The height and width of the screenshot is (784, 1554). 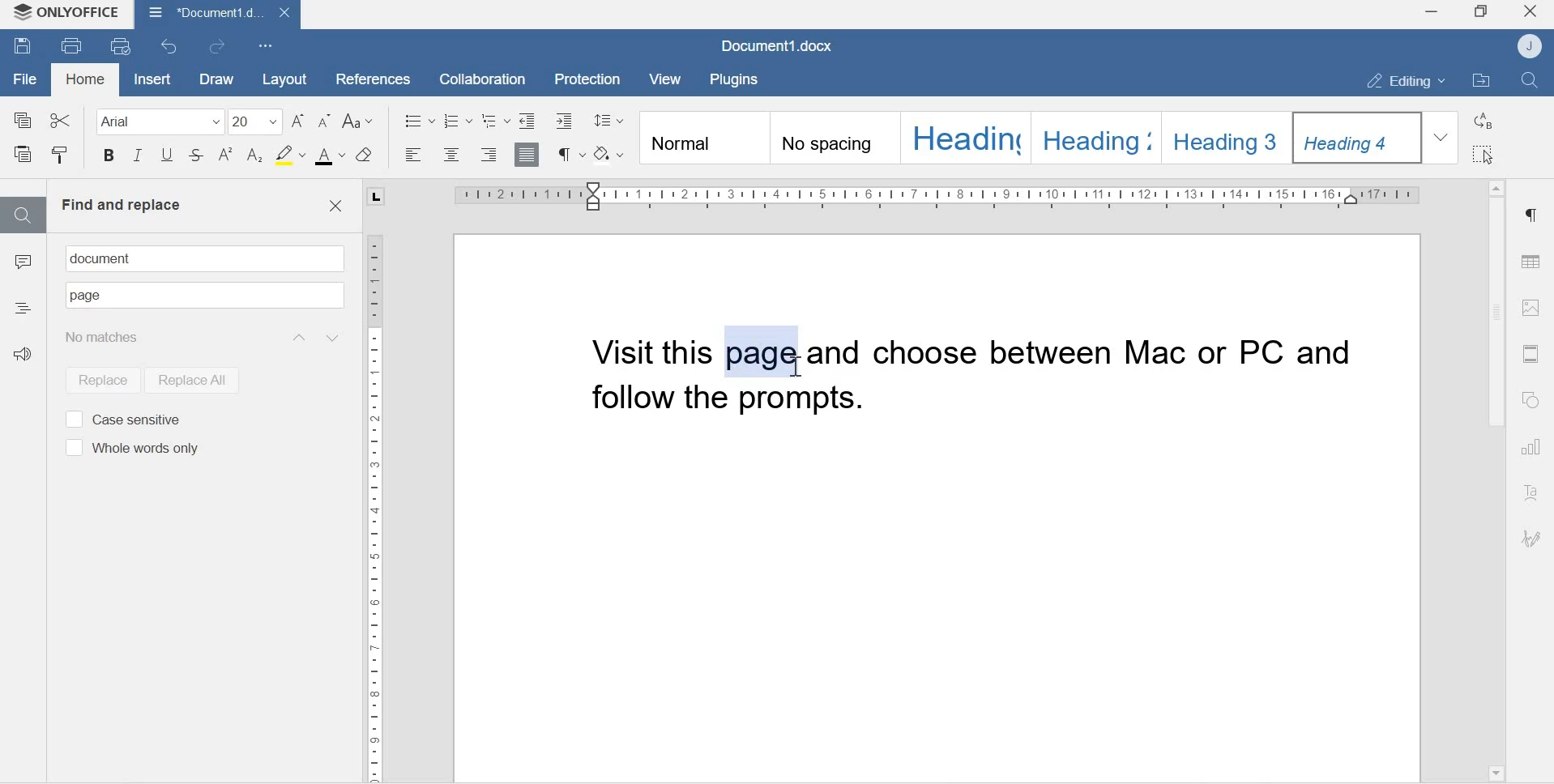 What do you see at coordinates (197, 157) in the screenshot?
I see `Strikethrough` at bounding box center [197, 157].